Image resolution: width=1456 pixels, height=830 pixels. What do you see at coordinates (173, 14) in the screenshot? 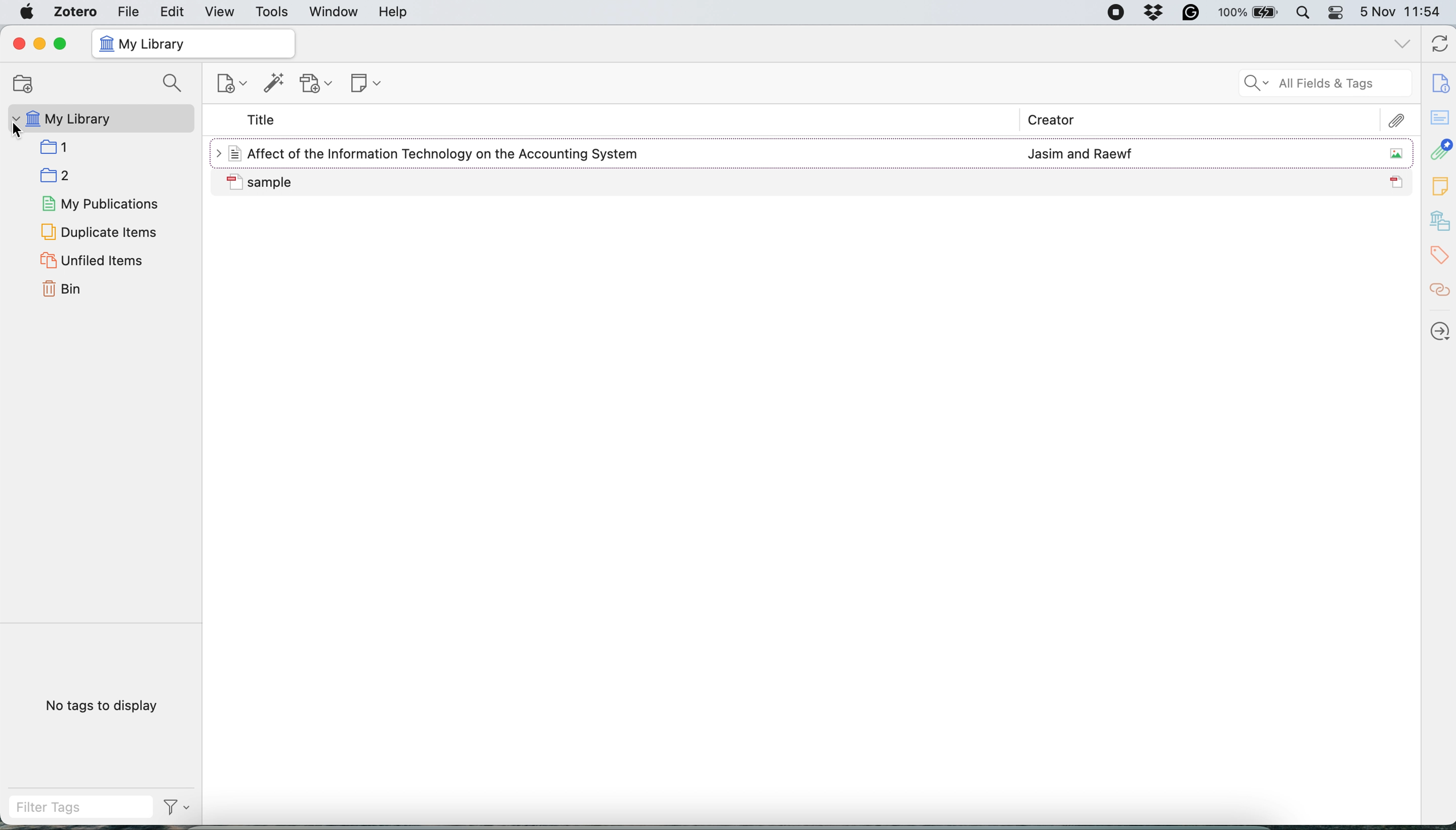
I see `edit` at bounding box center [173, 14].